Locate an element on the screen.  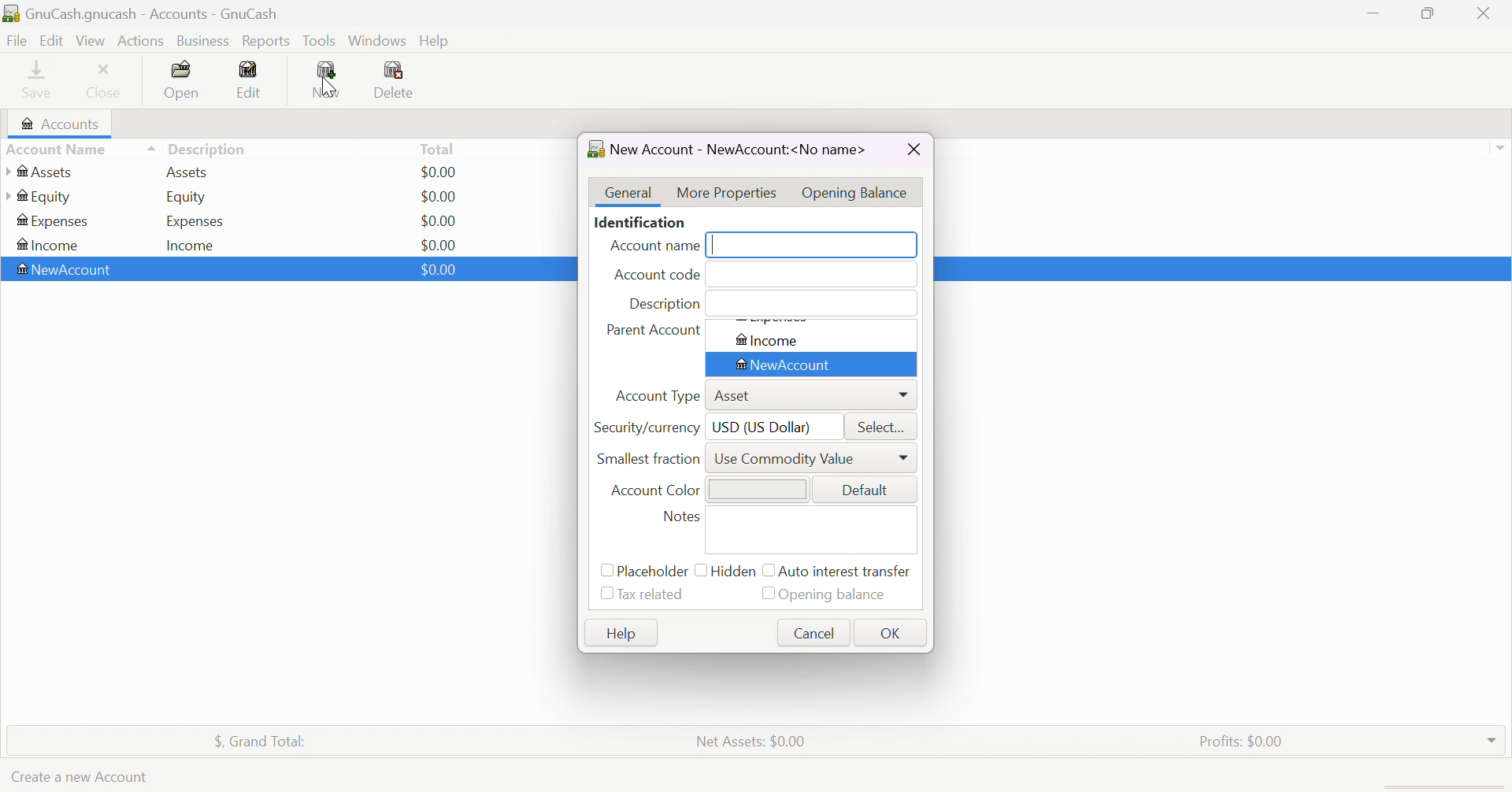
Smallest fraction is located at coordinates (650, 460).